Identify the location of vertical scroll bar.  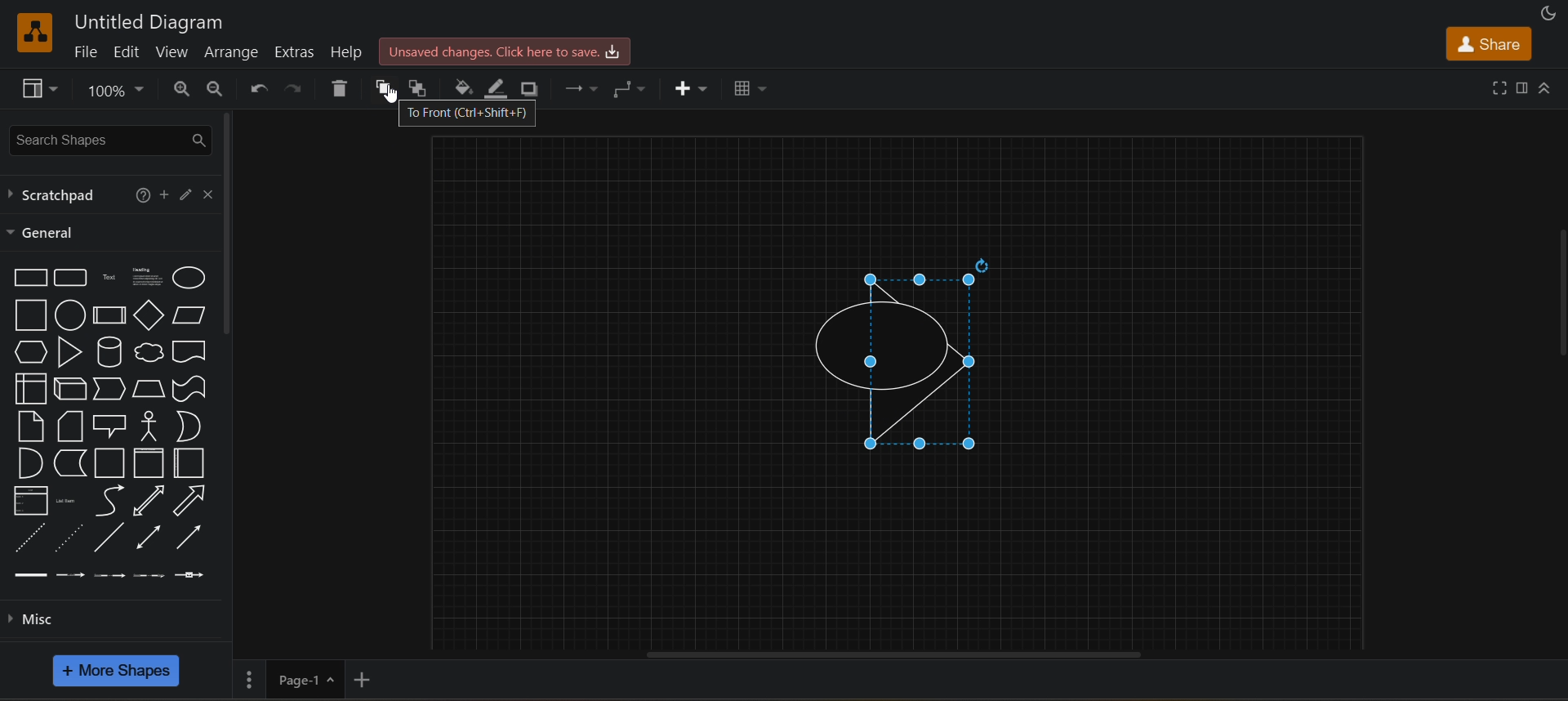
(228, 223).